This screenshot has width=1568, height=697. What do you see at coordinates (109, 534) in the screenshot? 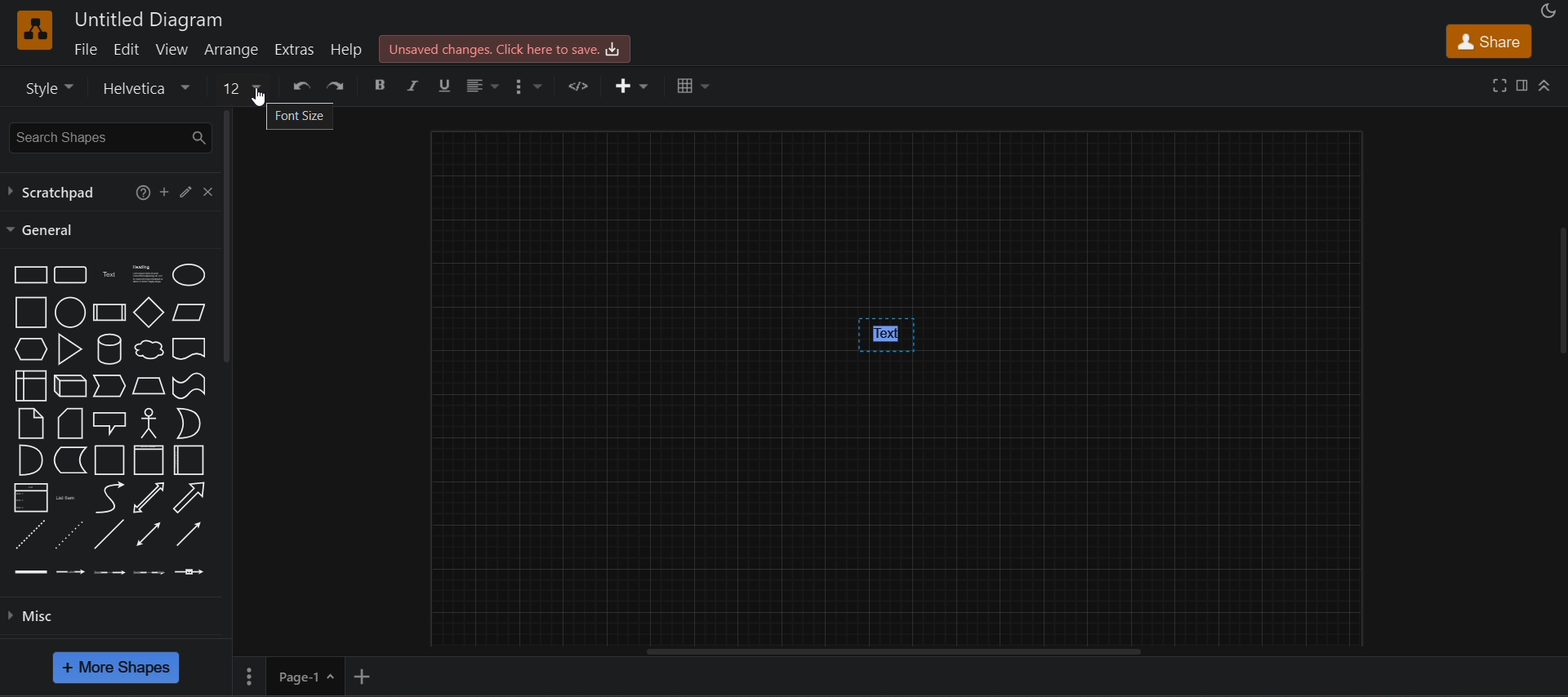
I see `Line` at bounding box center [109, 534].